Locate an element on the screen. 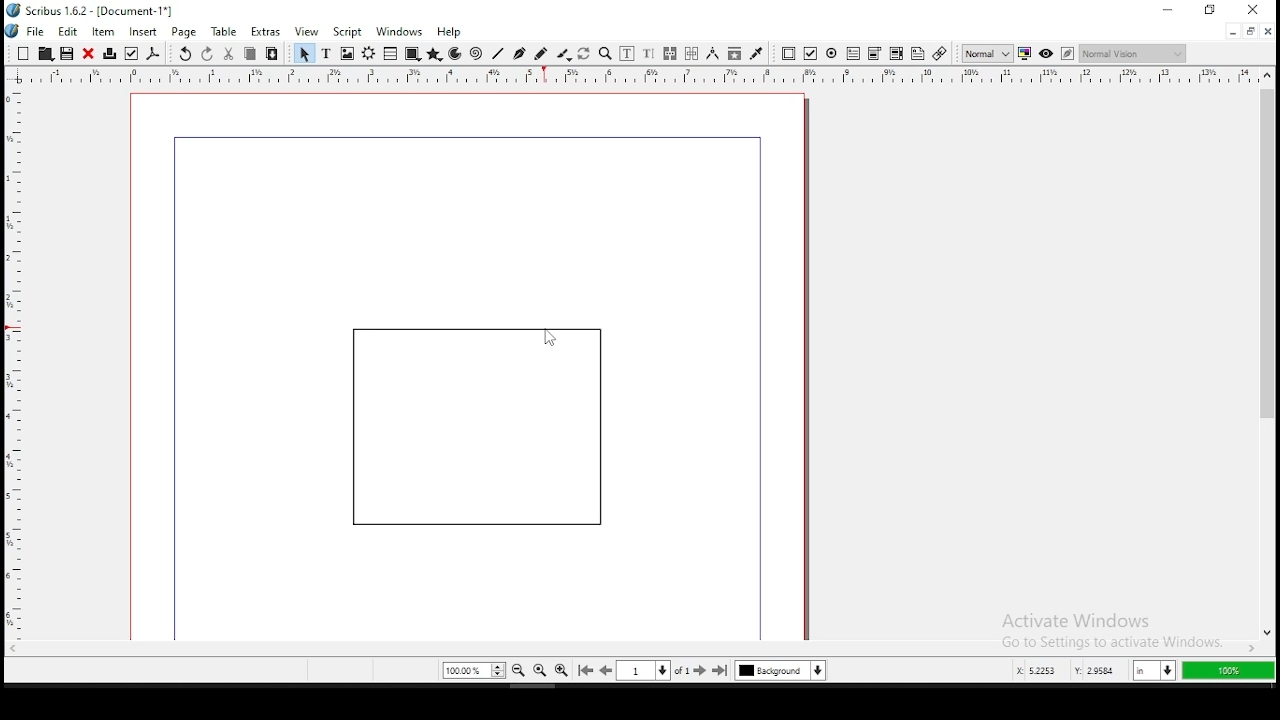 Image resolution: width=1280 pixels, height=720 pixels. pdf list box is located at coordinates (876, 55).